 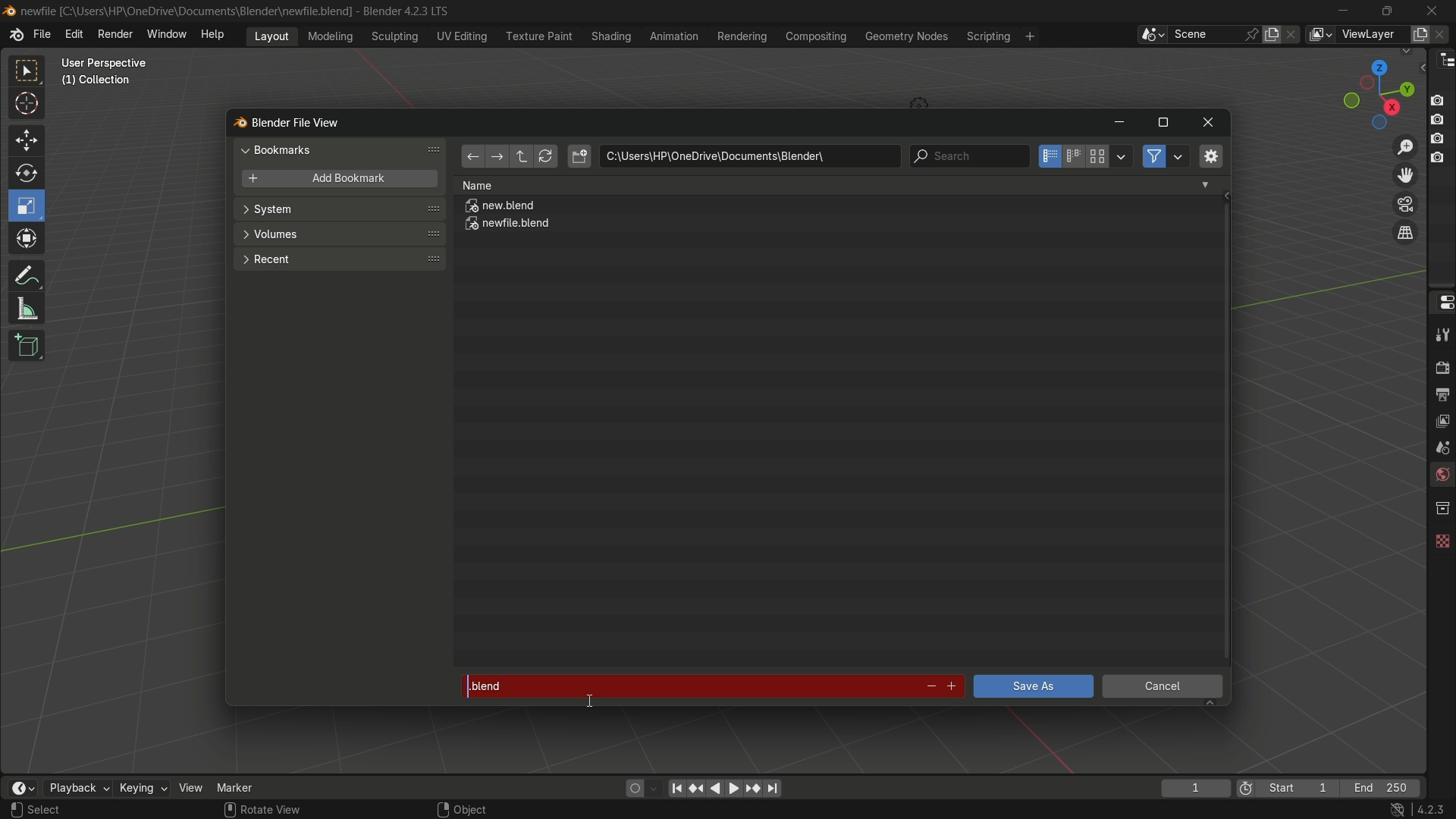 What do you see at coordinates (191, 787) in the screenshot?
I see `view` at bounding box center [191, 787].